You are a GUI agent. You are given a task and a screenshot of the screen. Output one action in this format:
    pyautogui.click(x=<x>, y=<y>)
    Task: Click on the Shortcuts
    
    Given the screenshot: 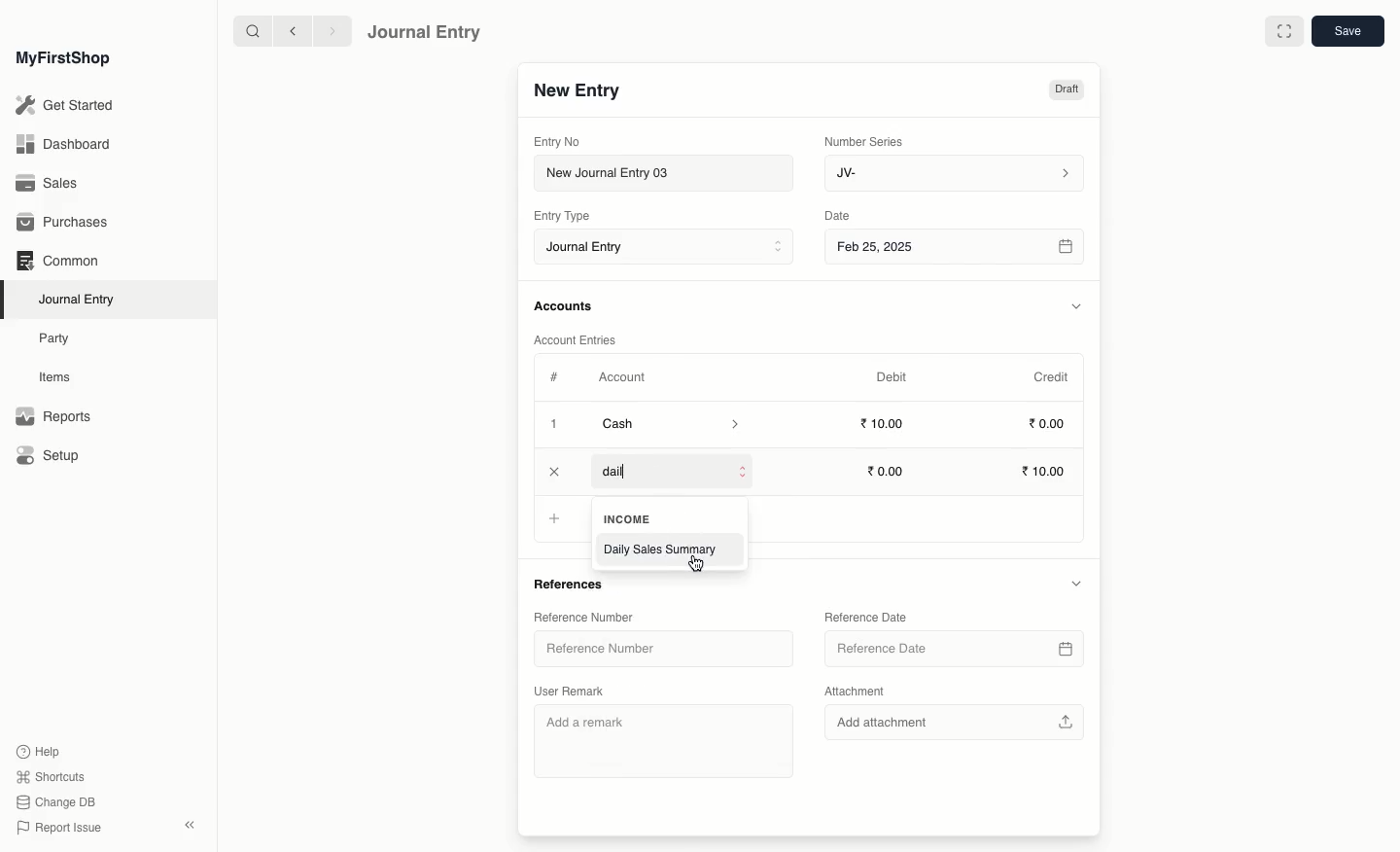 What is the action you would take?
    pyautogui.click(x=48, y=775)
    